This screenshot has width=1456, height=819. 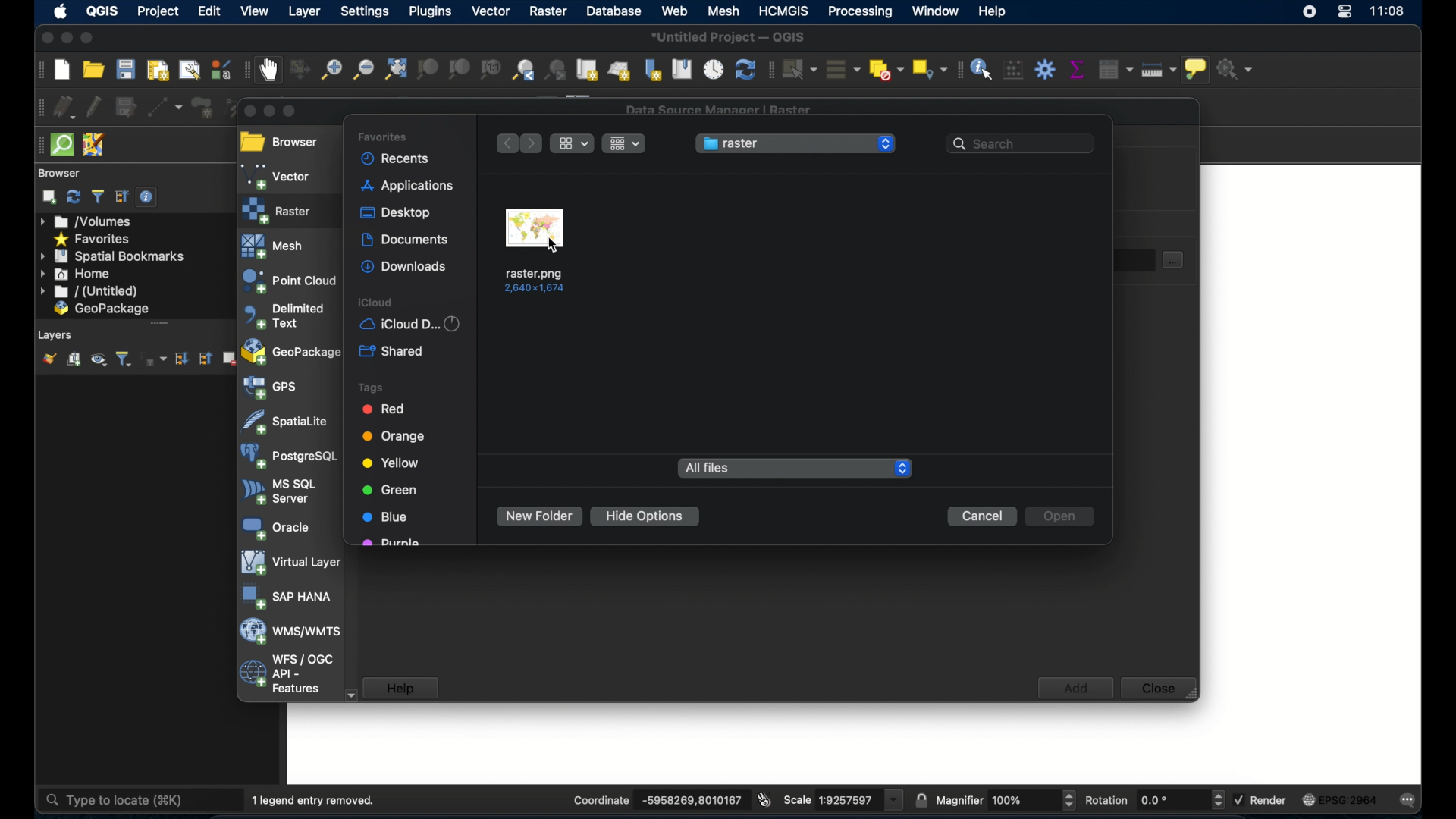 I want to click on vector, so click(x=278, y=174).